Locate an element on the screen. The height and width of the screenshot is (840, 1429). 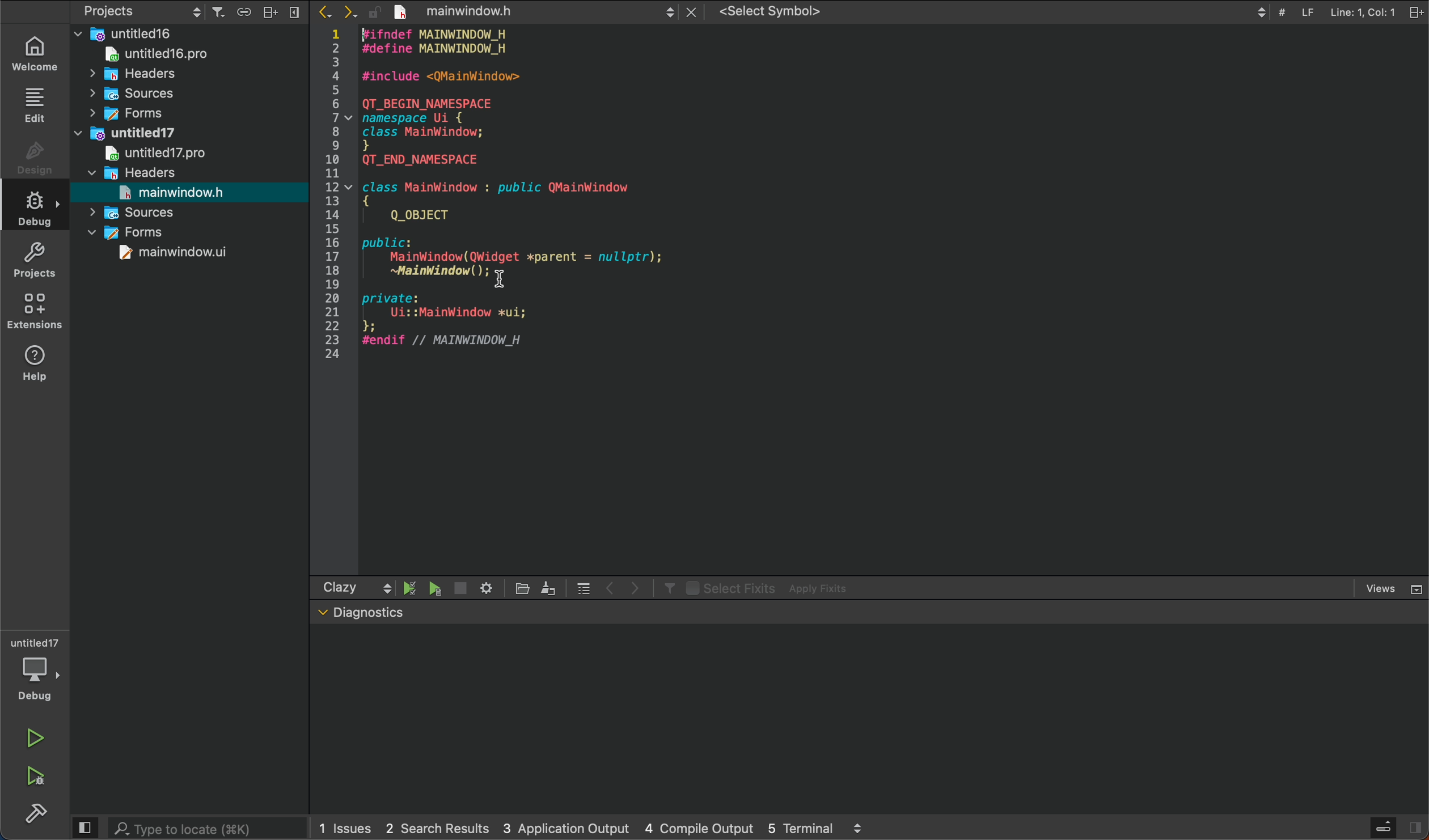
search is located at coordinates (185, 826).